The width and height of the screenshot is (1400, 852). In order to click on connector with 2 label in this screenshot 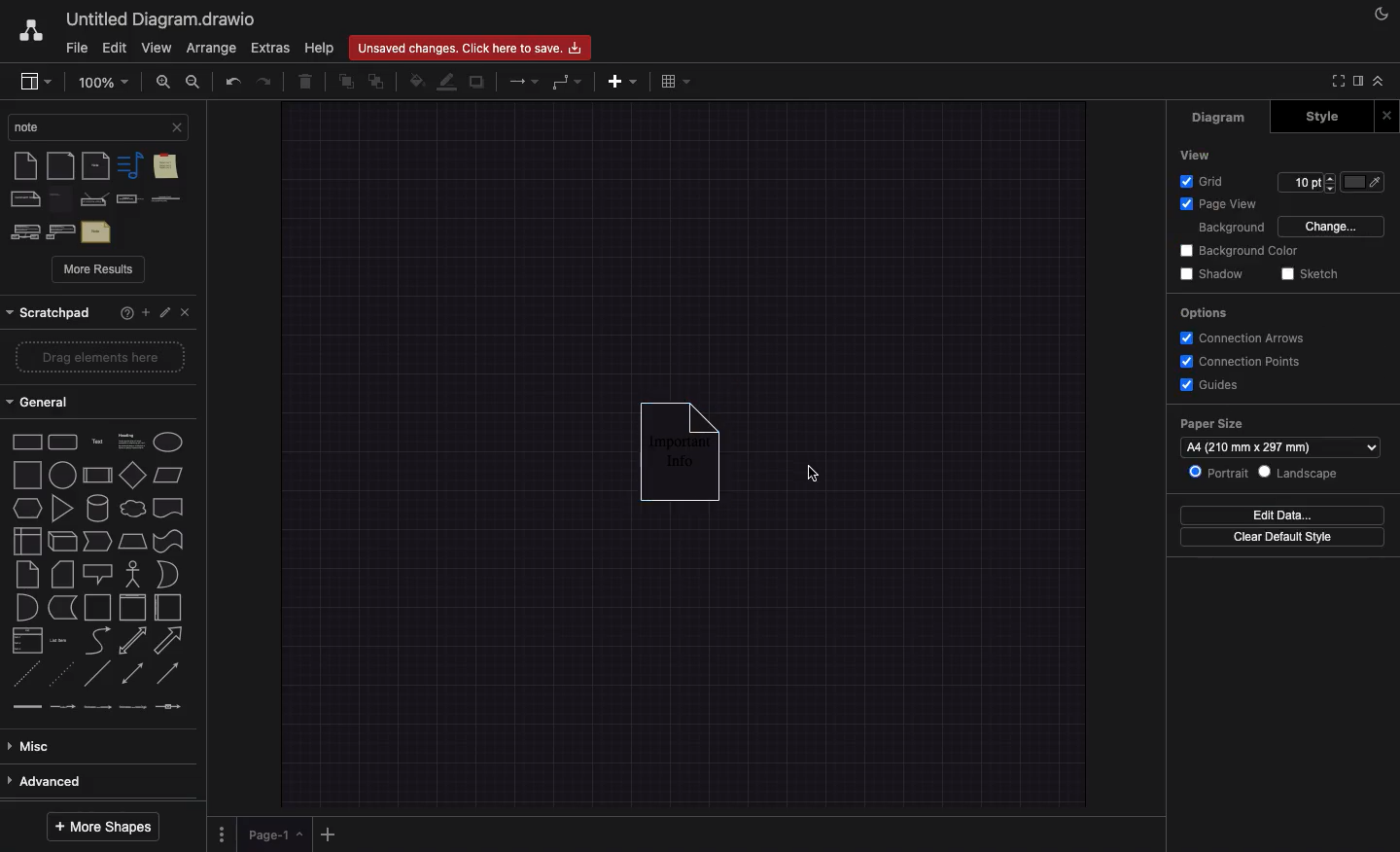, I will do `click(100, 713)`.